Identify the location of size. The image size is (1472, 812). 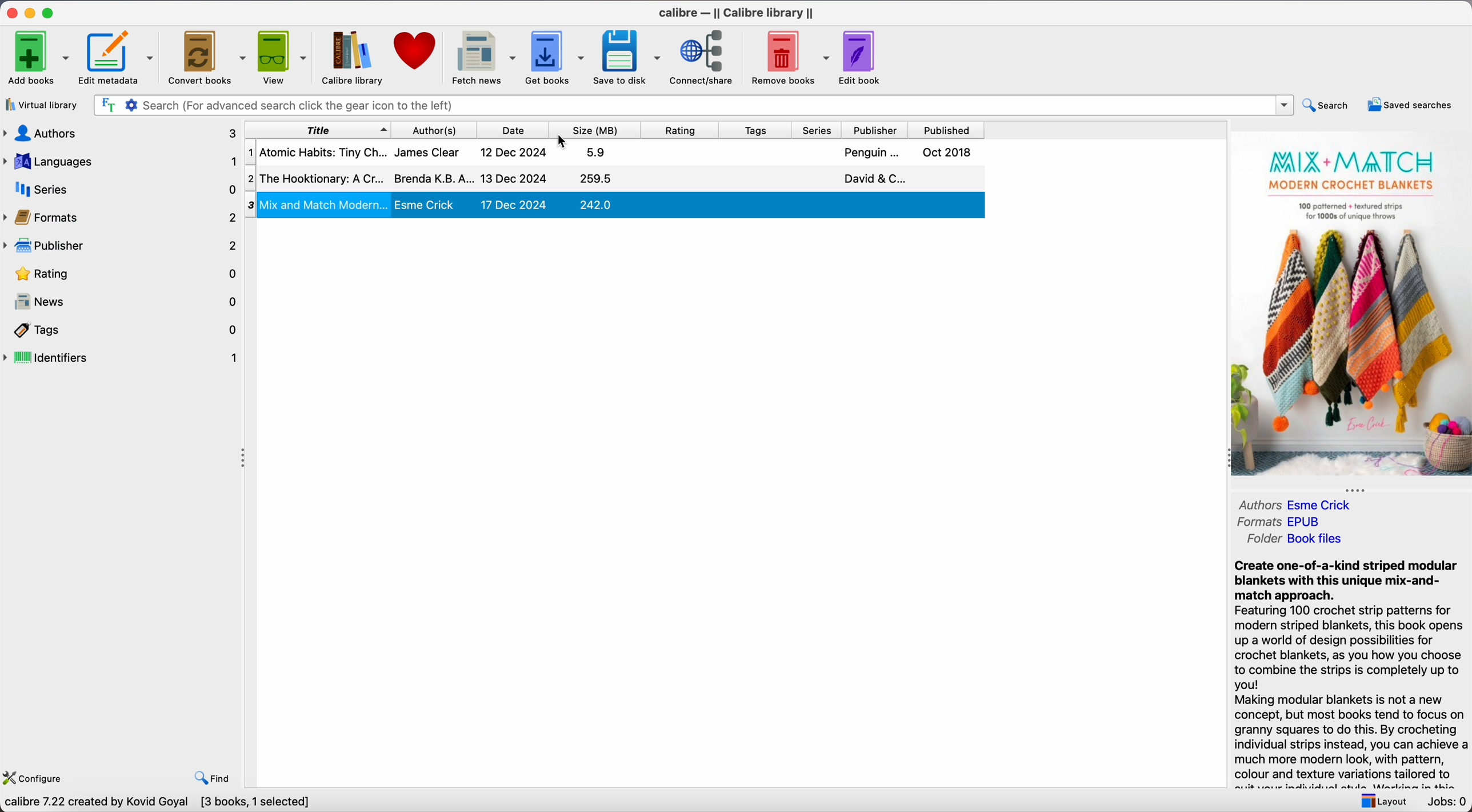
(599, 130).